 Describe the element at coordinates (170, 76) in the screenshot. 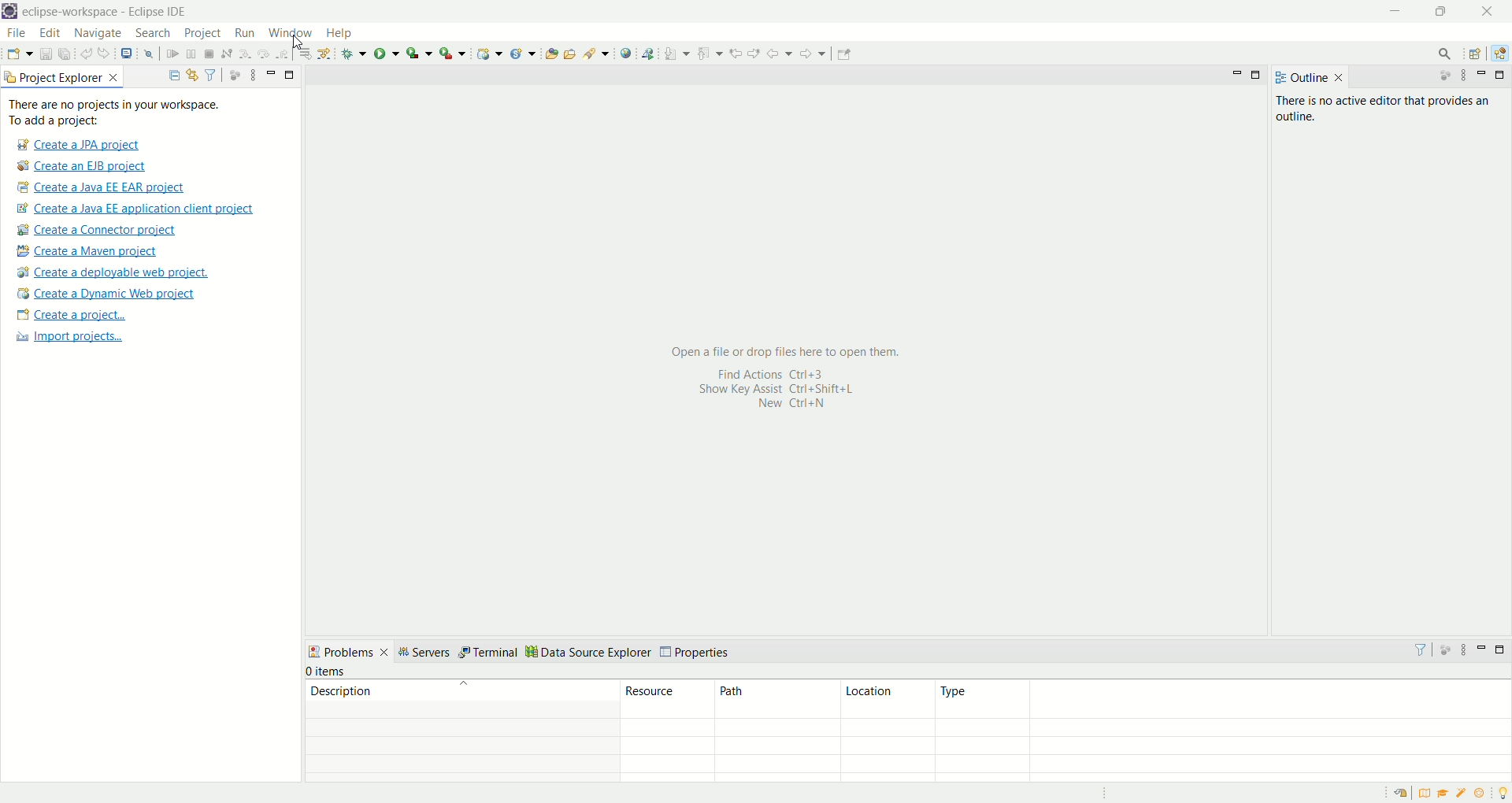

I see `collapse all` at that location.